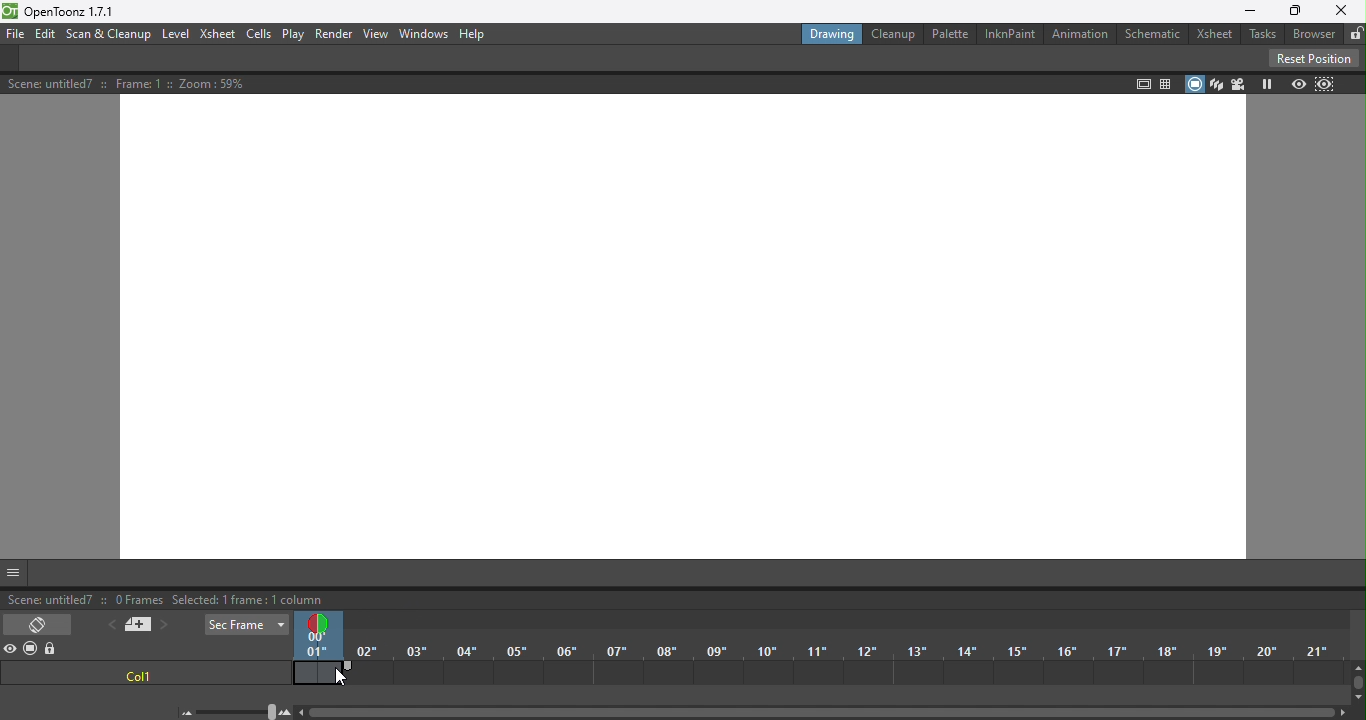 The image size is (1366, 720). I want to click on Current frame, so click(320, 648).